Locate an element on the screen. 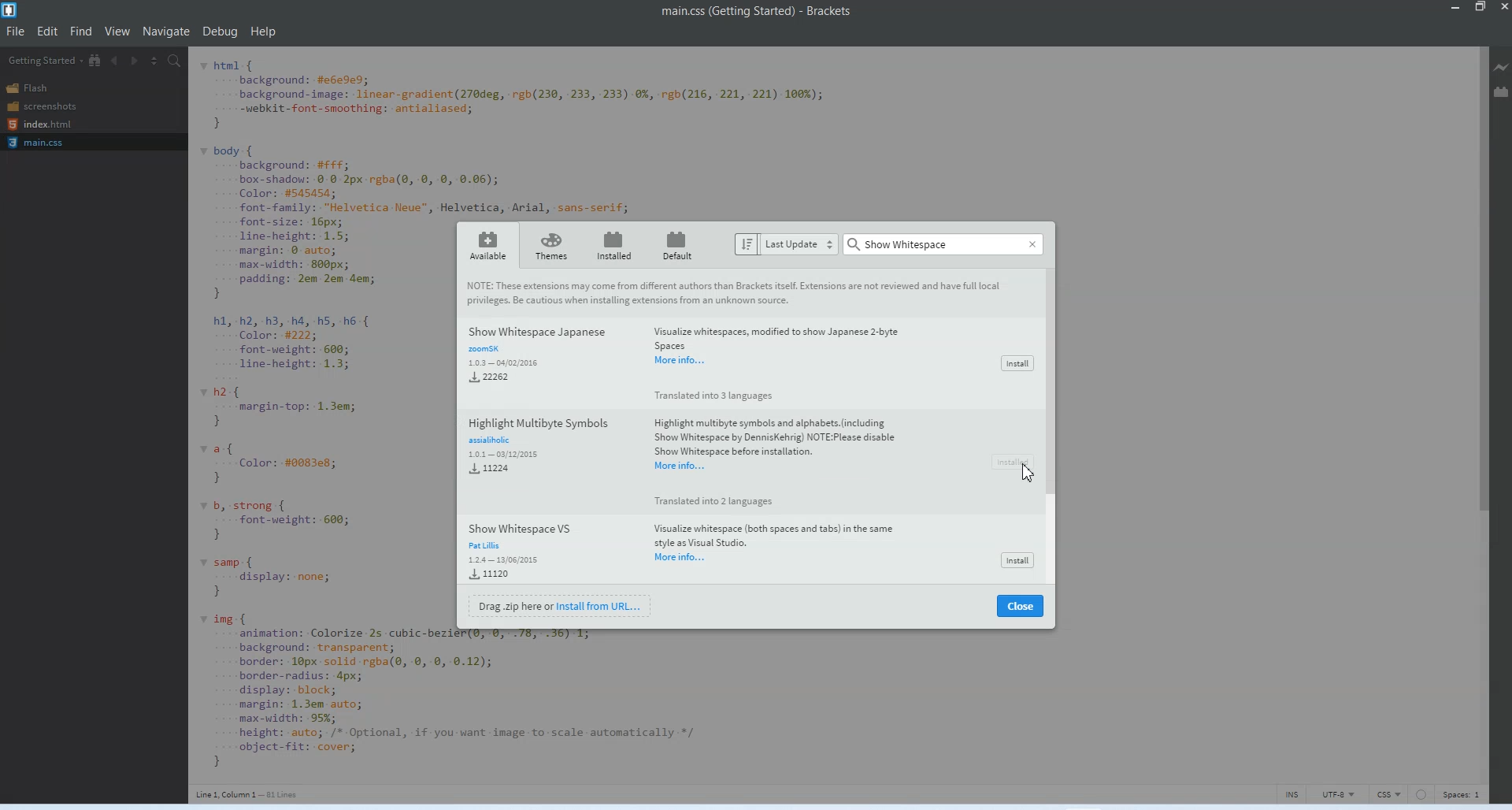 Image resolution: width=1512 pixels, height=810 pixels. Translated into 3 languages is located at coordinates (728, 396).